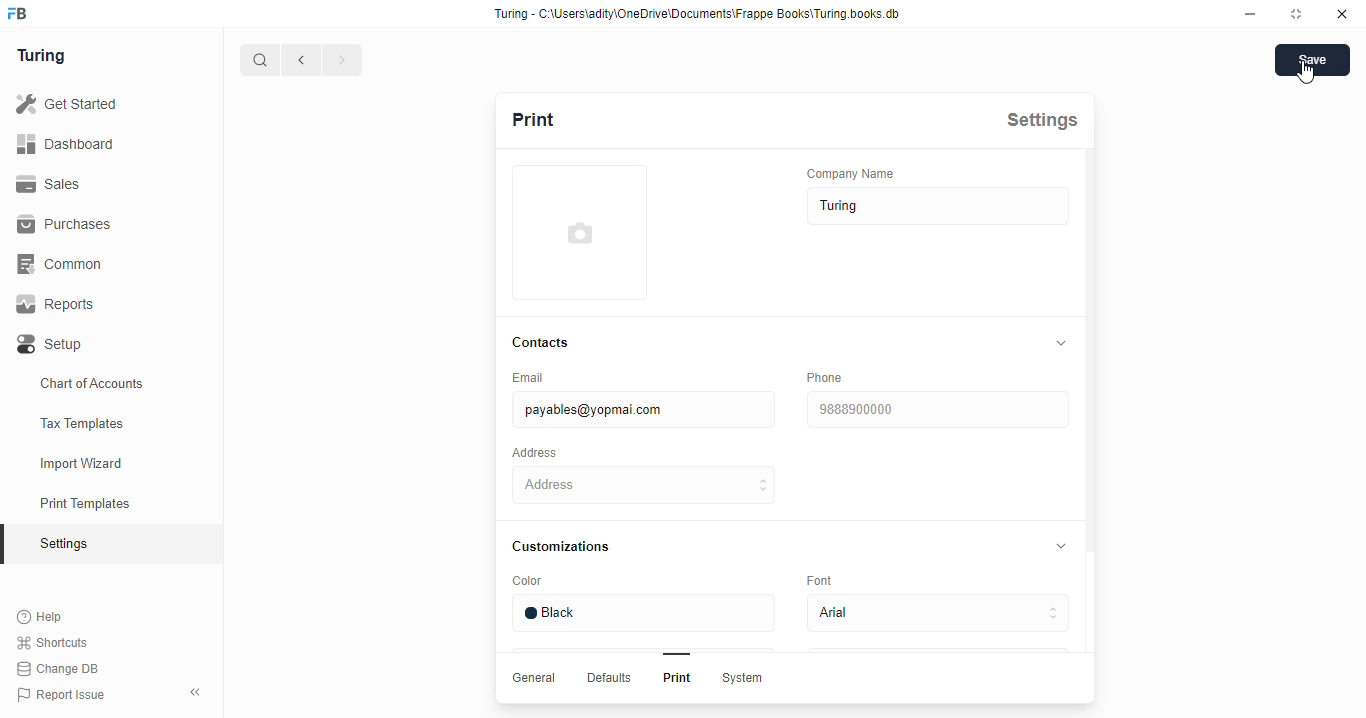 The image size is (1366, 718). Describe the element at coordinates (644, 408) in the screenshot. I see `payables@yopmai.com` at that location.